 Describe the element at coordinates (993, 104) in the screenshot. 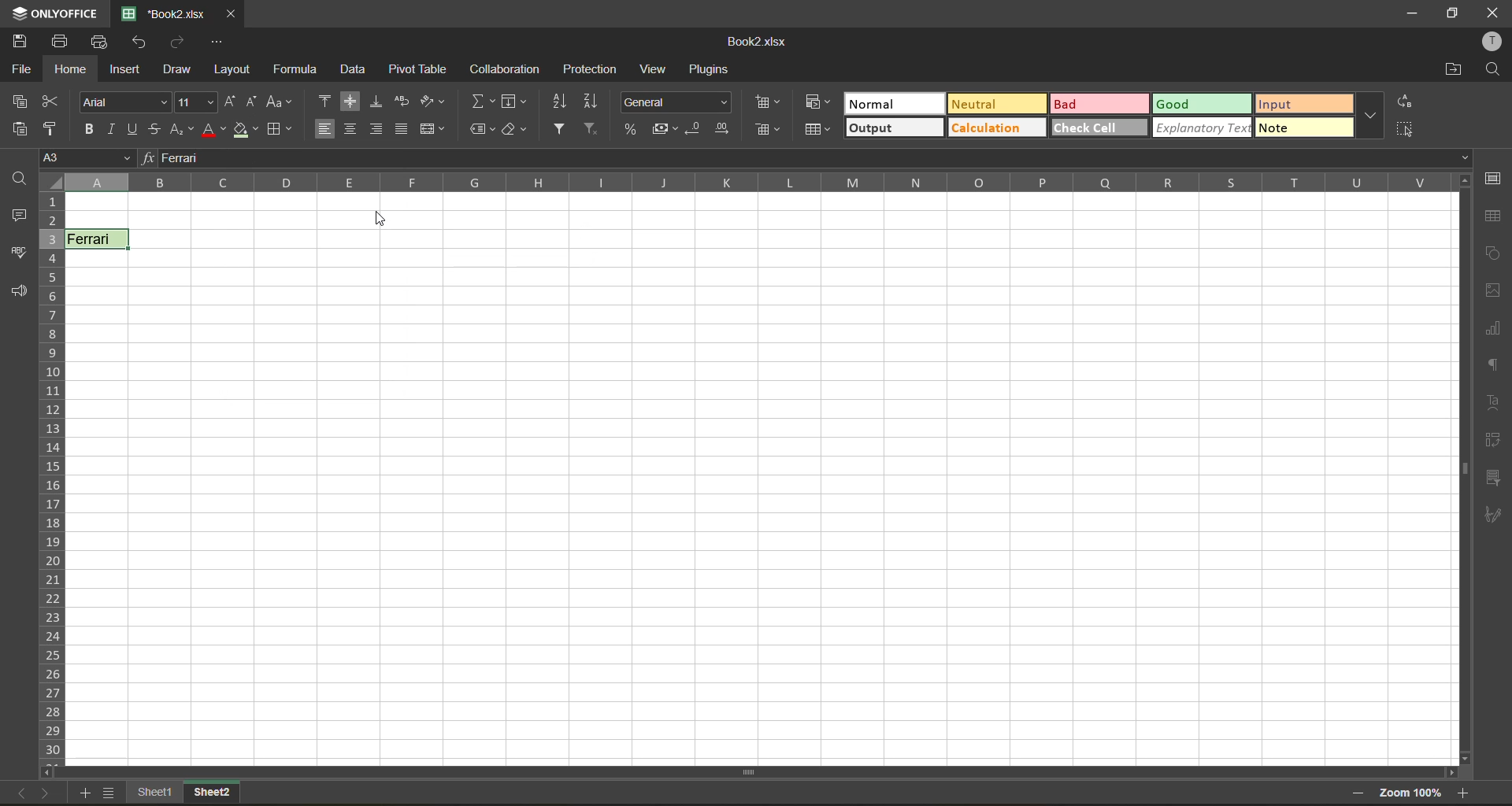

I see `neutral` at that location.